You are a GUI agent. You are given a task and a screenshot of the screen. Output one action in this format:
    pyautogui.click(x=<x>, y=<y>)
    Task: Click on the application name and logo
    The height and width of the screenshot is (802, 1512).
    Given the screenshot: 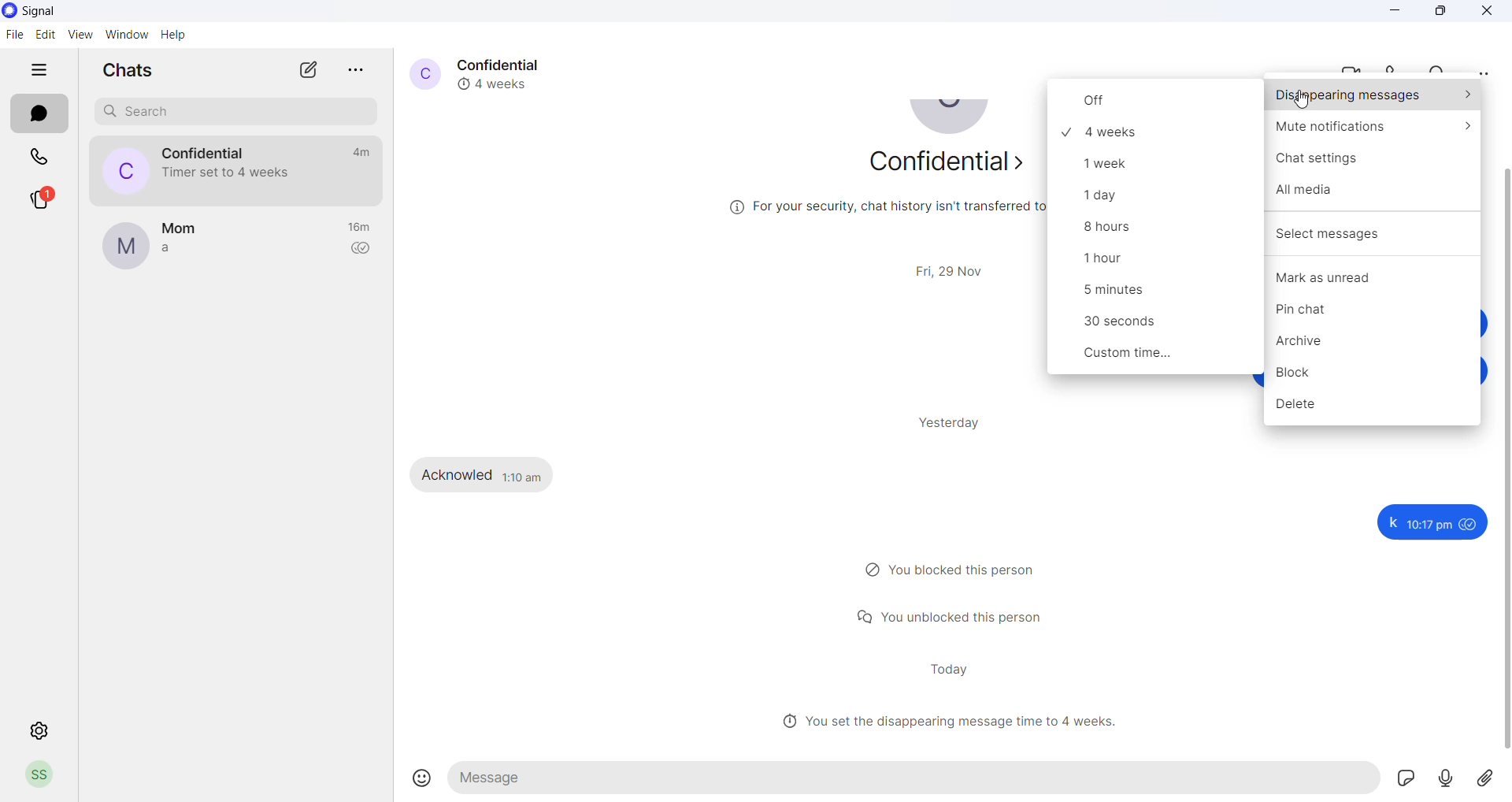 What is the action you would take?
    pyautogui.click(x=40, y=13)
    